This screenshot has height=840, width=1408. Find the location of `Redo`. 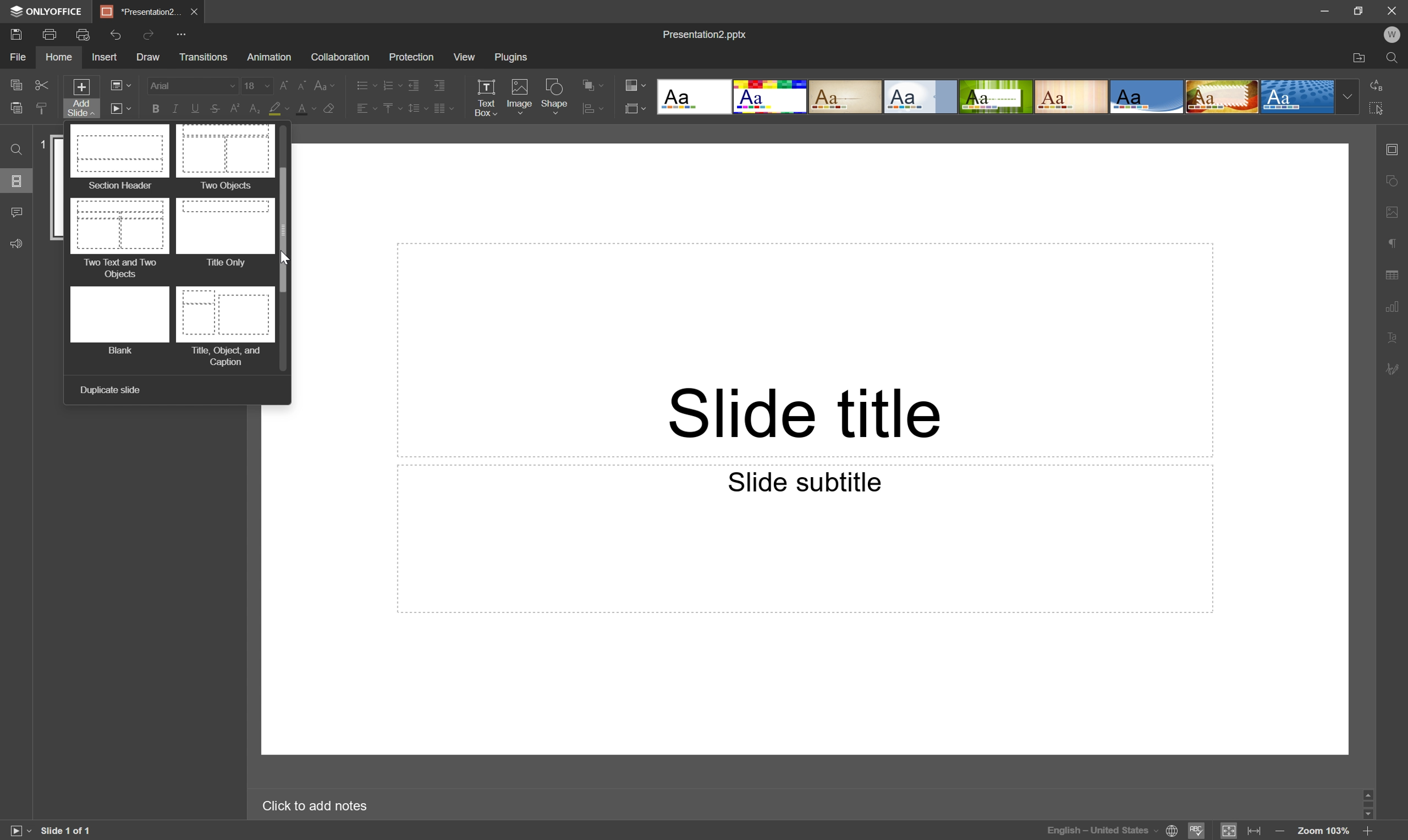

Redo is located at coordinates (151, 35).